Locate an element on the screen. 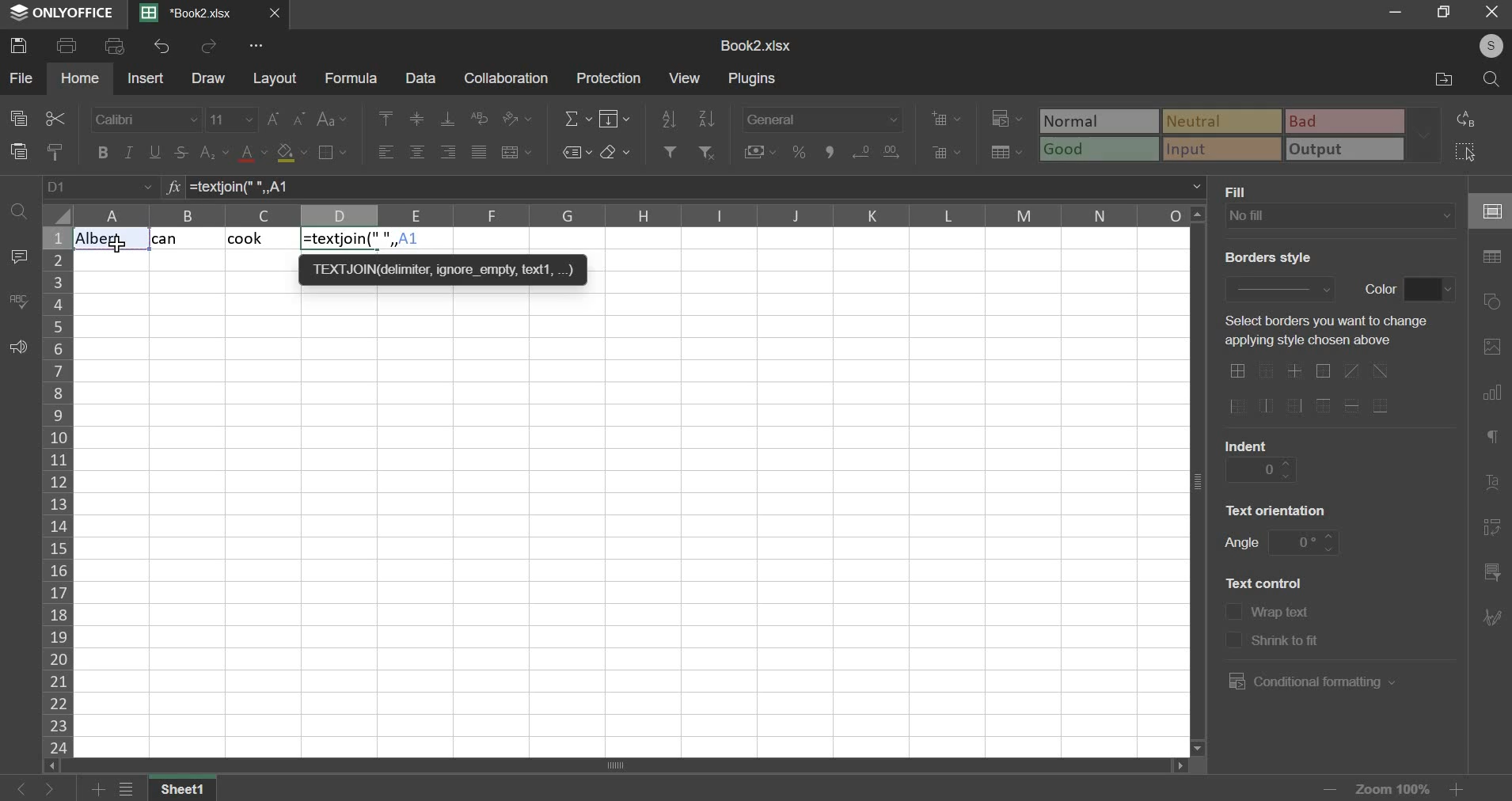 This screenshot has height=801, width=1512. comma style is located at coordinates (833, 152).